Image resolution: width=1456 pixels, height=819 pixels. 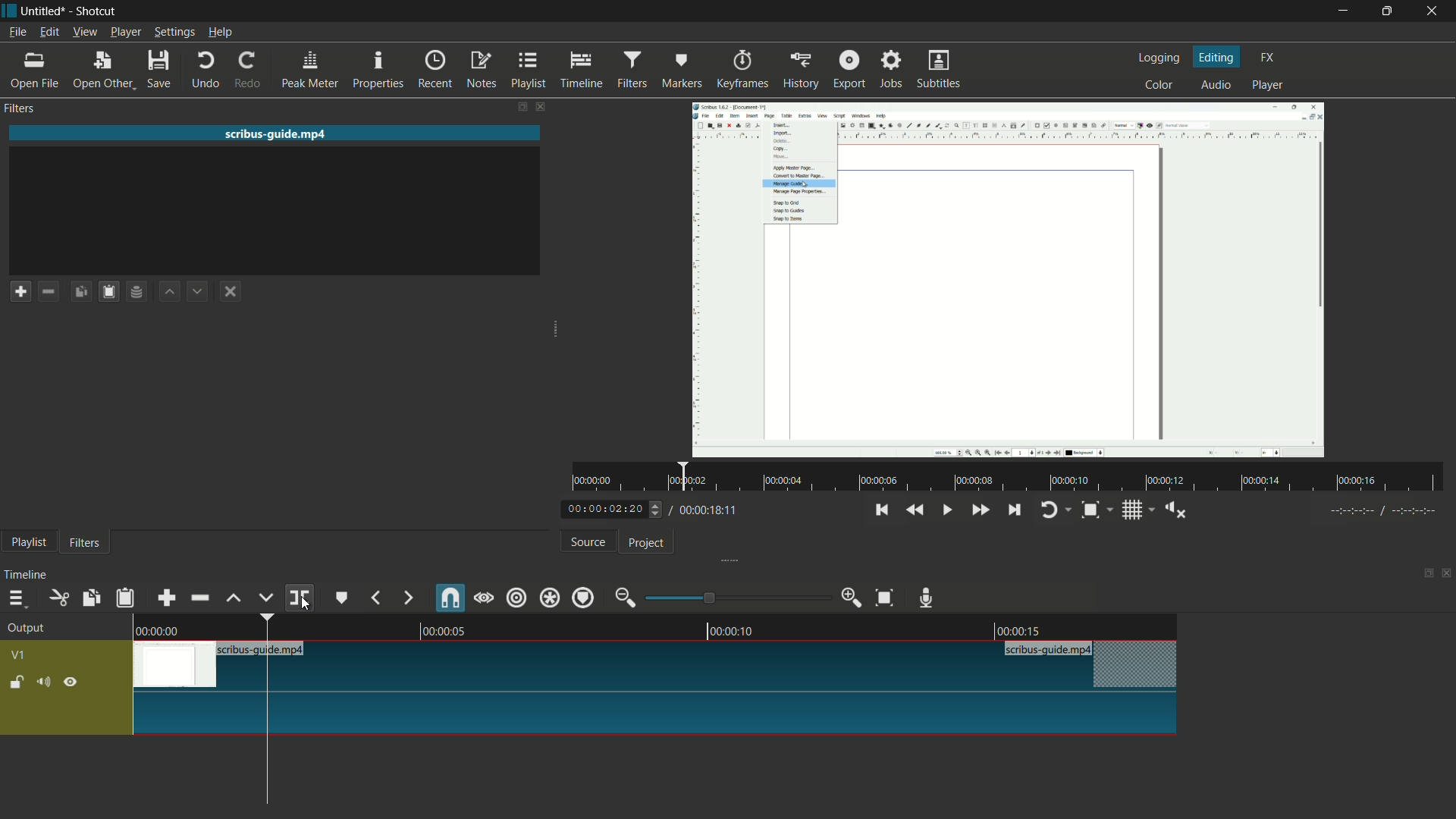 What do you see at coordinates (681, 71) in the screenshot?
I see `markers` at bounding box center [681, 71].